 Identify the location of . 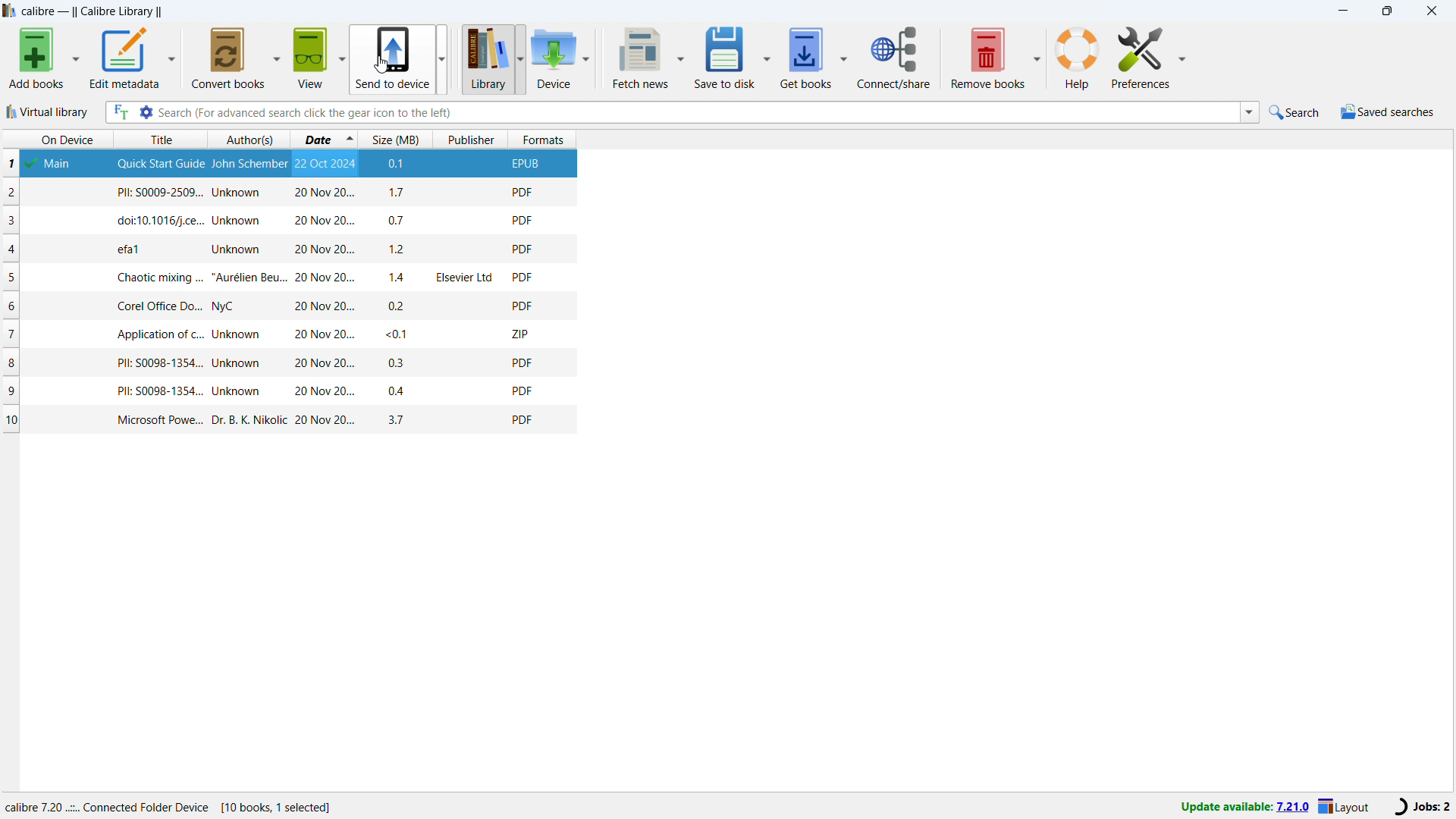
(642, 57).